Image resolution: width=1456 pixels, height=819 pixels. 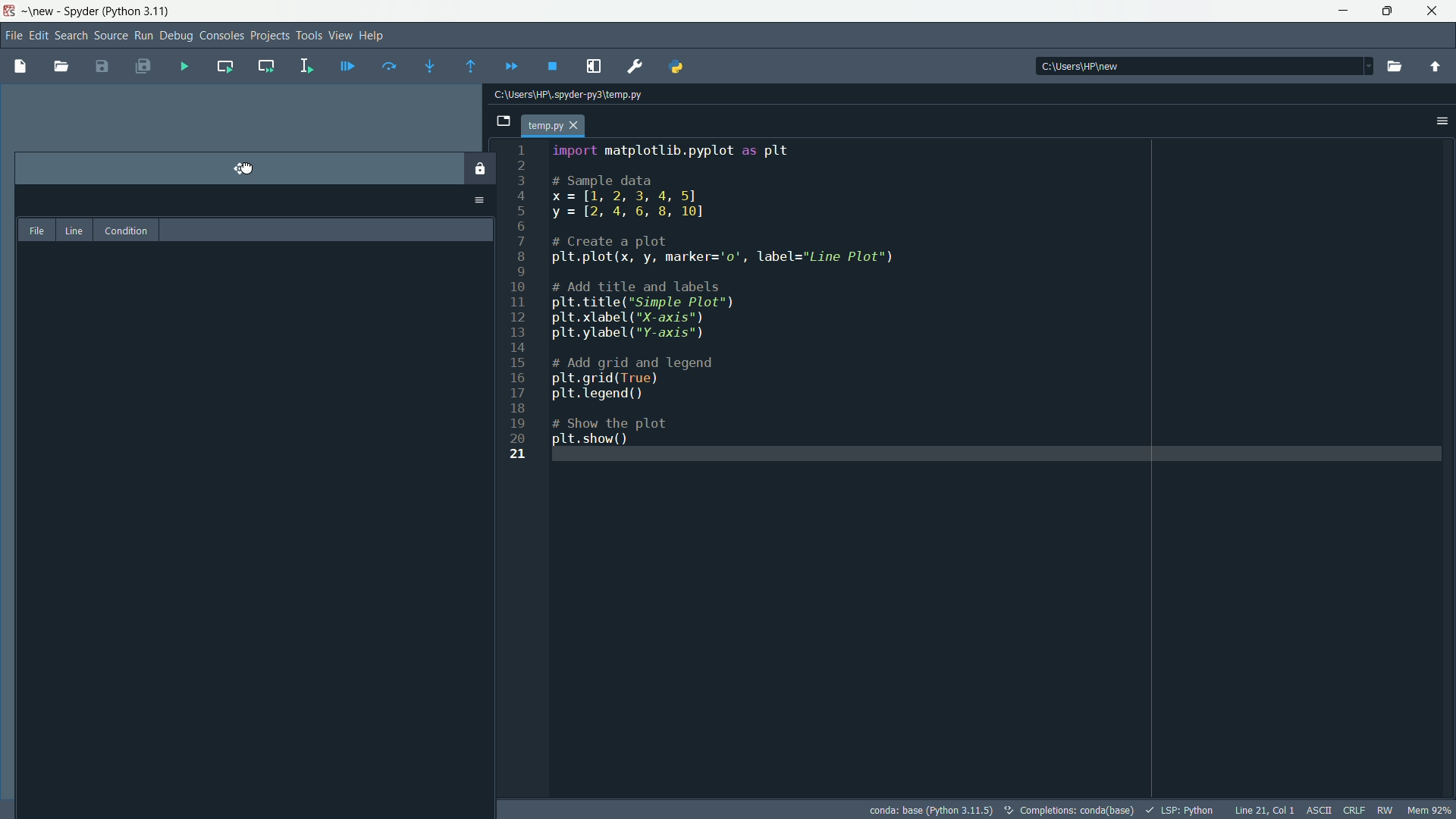 I want to click on search menu, so click(x=72, y=36).